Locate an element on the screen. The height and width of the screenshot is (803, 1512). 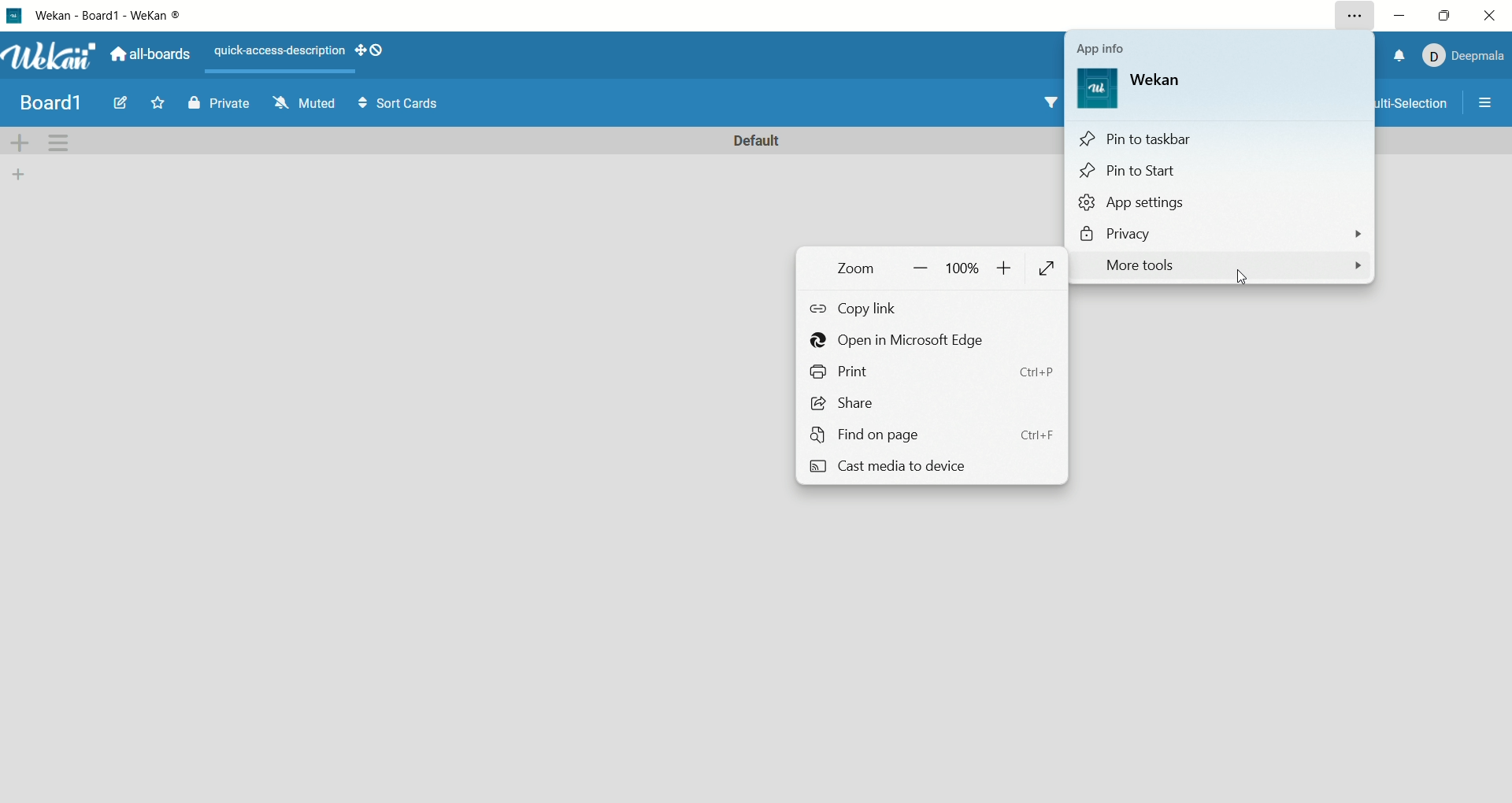
logo is located at coordinates (13, 13).